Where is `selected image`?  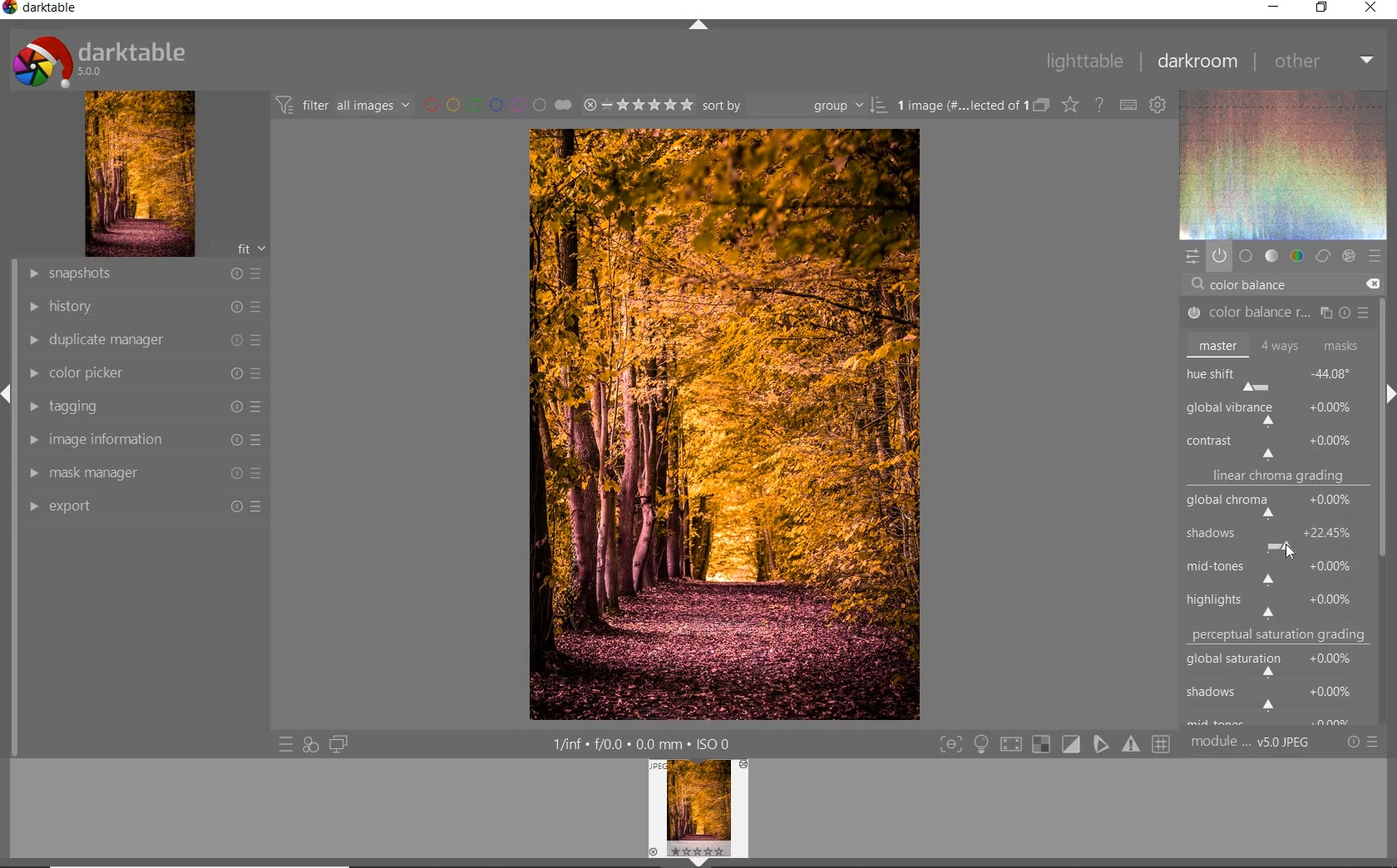
selected image is located at coordinates (723, 425).